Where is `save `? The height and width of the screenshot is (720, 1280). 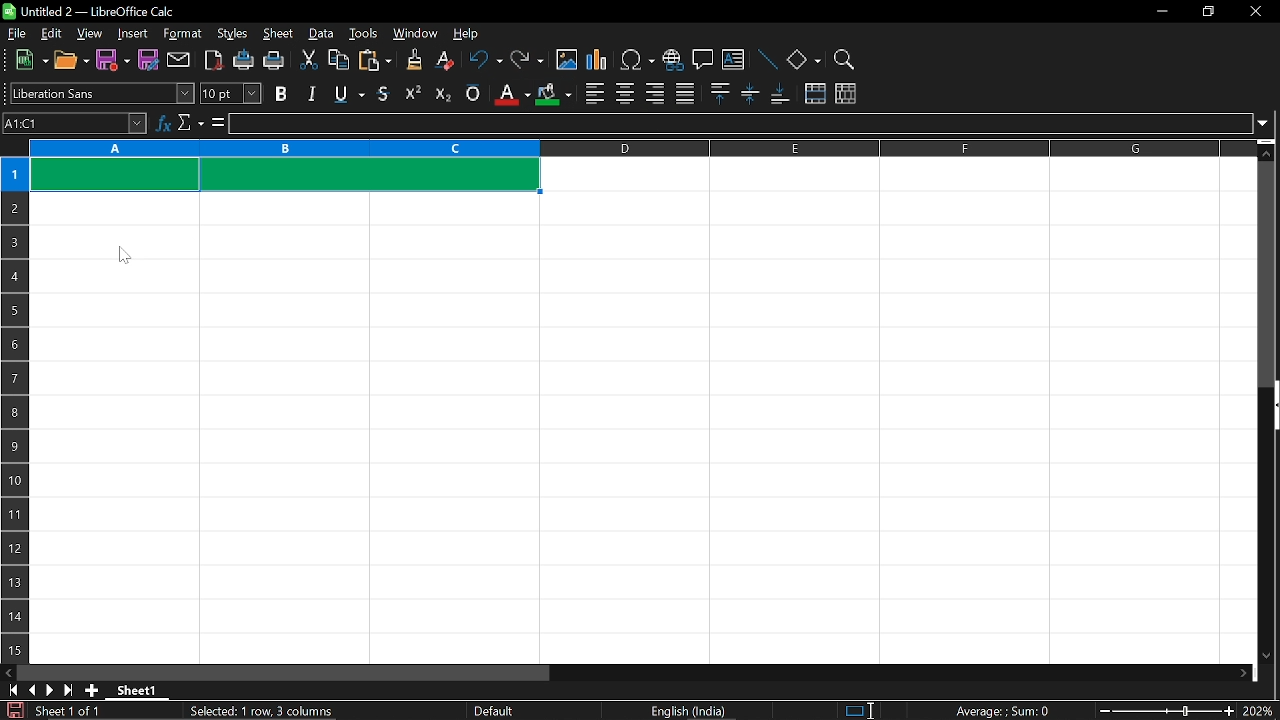 save  is located at coordinates (12, 710).